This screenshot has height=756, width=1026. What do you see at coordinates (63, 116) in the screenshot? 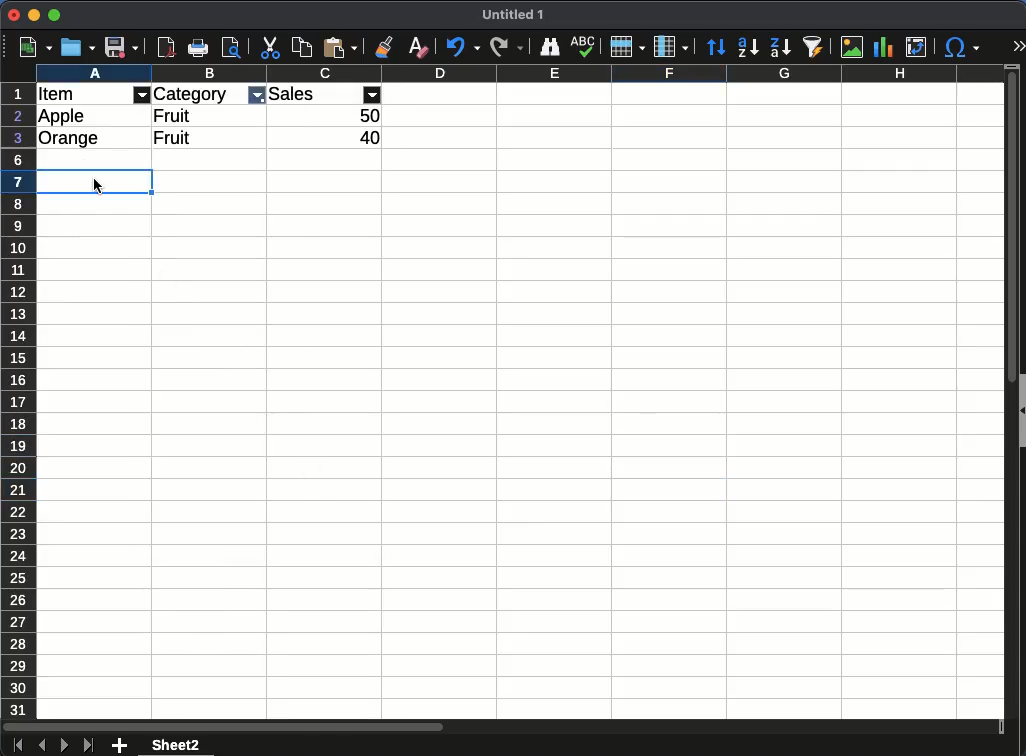
I see `Apple` at bounding box center [63, 116].